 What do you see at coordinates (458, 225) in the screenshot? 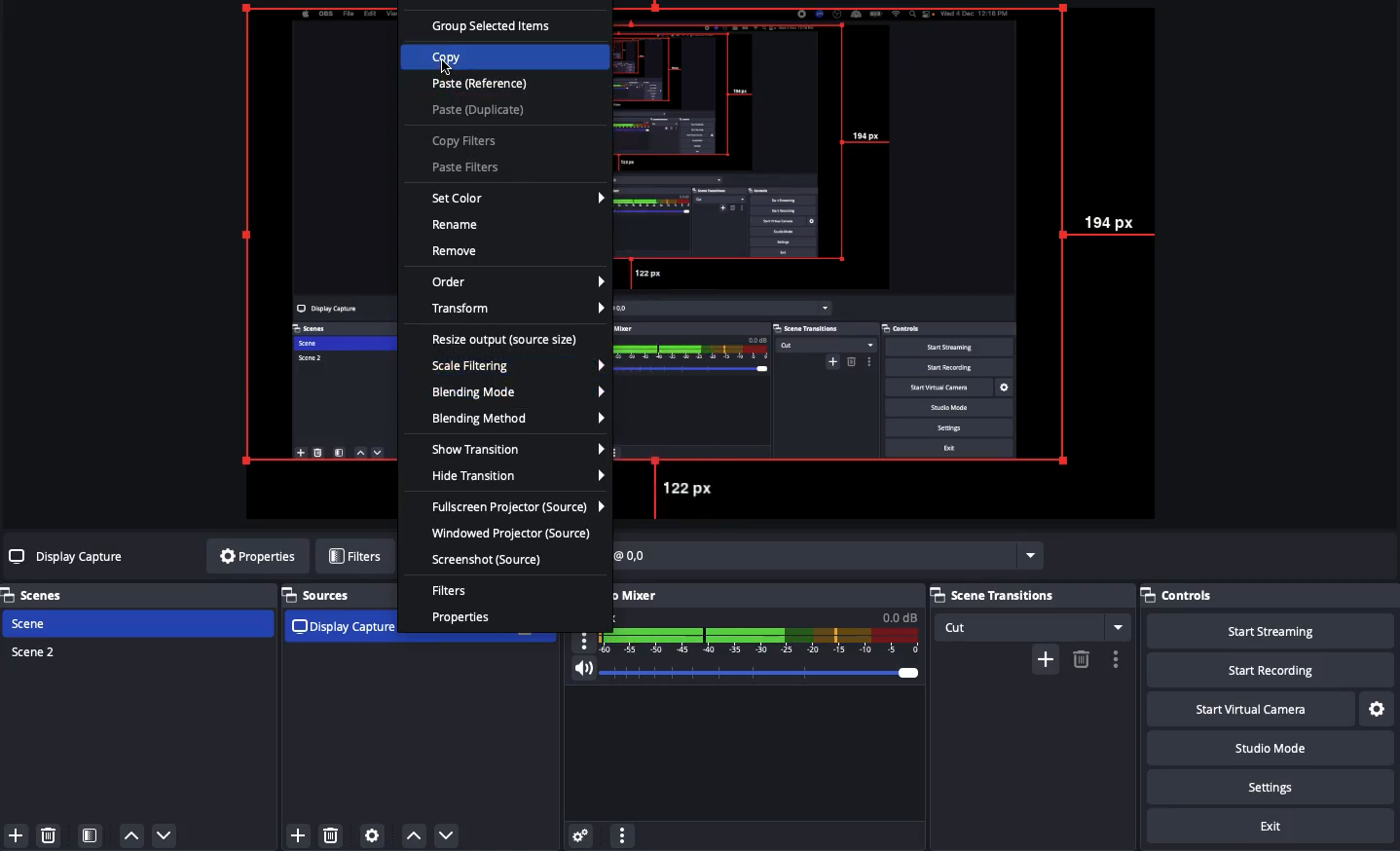
I see `Rename` at bounding box center [458, 225].